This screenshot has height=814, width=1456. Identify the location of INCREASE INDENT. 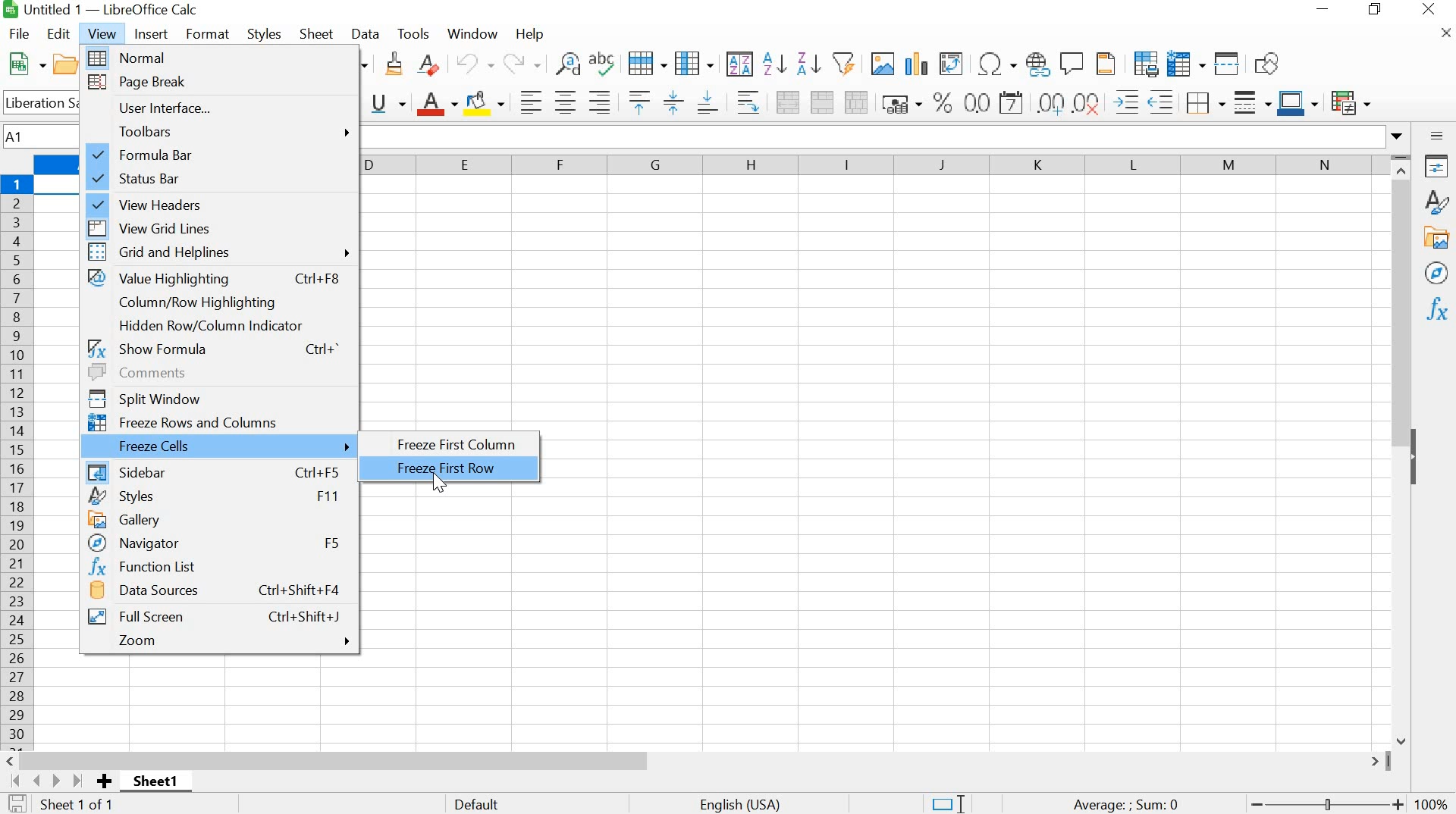
(1147, 99).